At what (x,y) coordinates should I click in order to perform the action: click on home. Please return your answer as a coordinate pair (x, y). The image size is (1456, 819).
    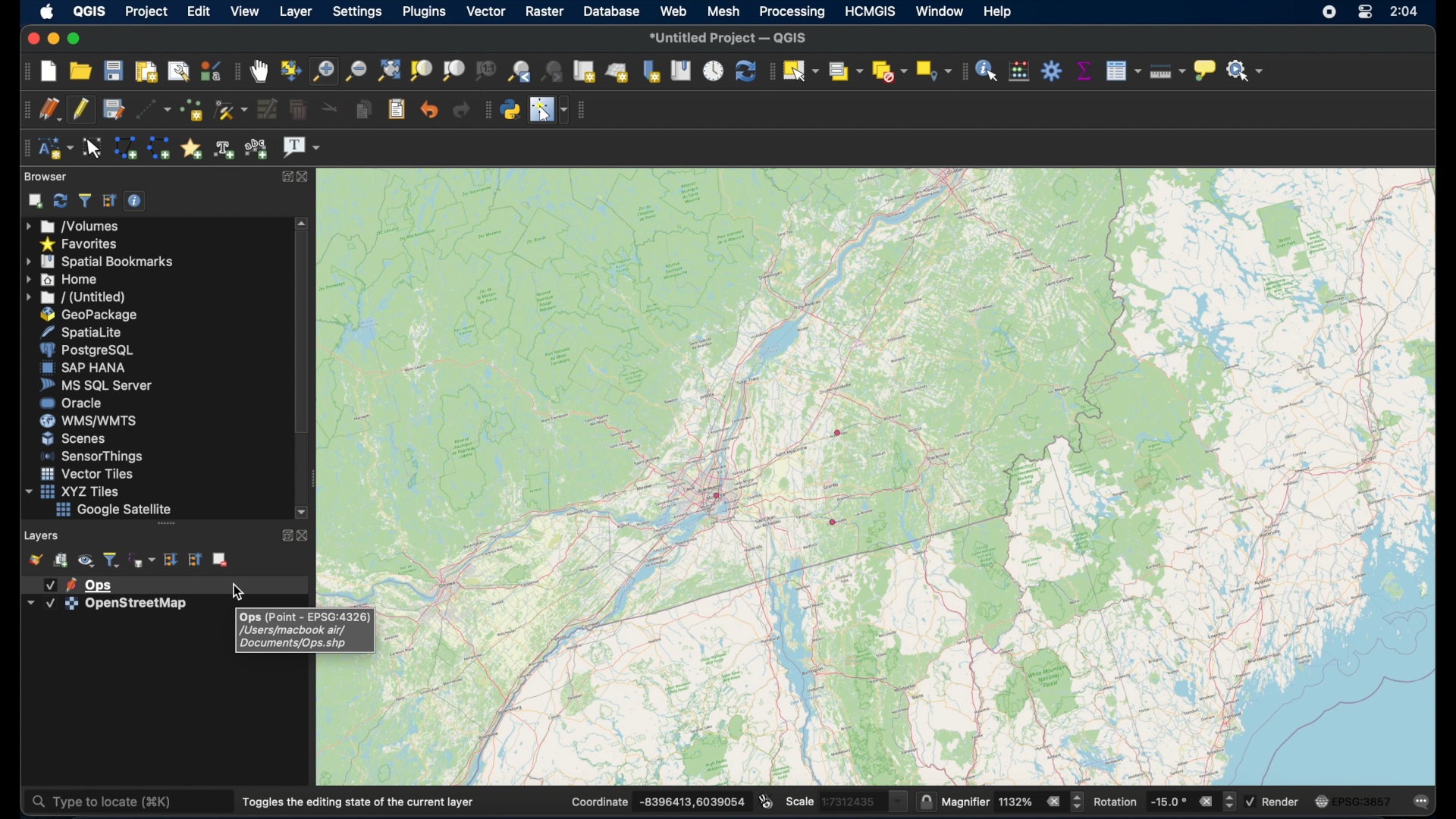
    Looking at the image, I should click on (64, 280).